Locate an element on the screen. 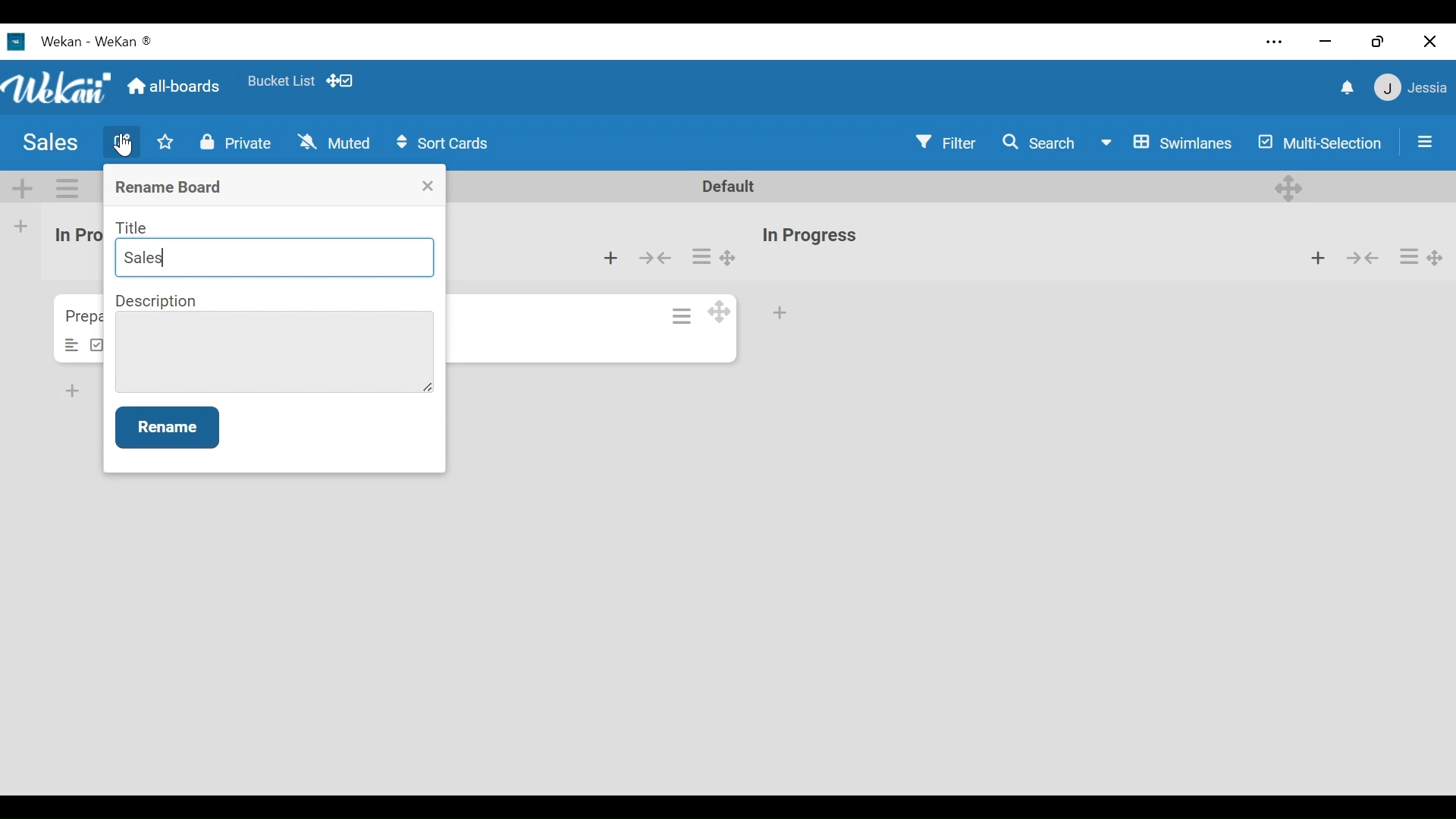 This screenshot has width=1456, height=819. Muted is located at coordinates (335, 143).